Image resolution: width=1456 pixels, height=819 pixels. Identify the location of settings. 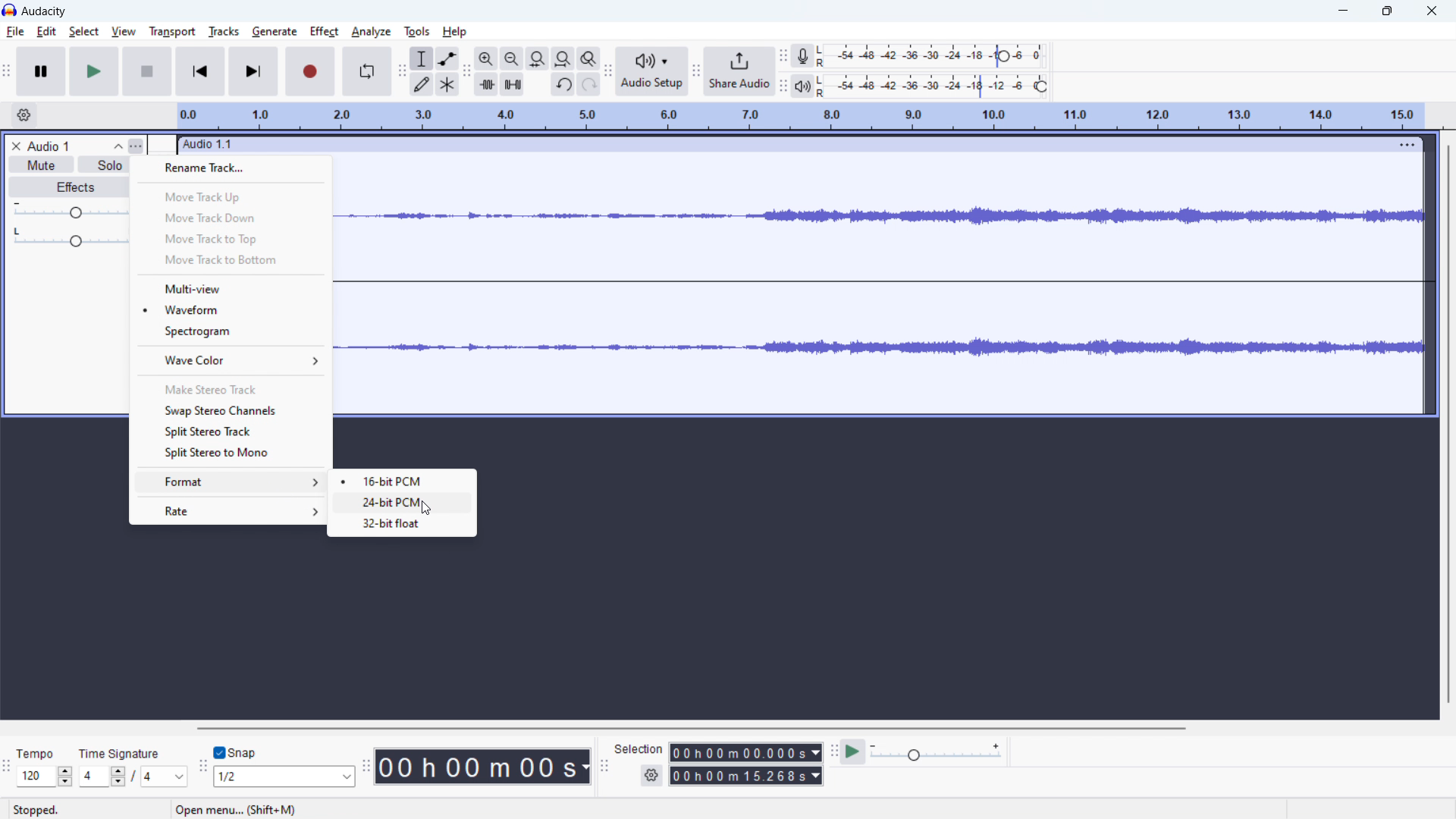
(652, 775).